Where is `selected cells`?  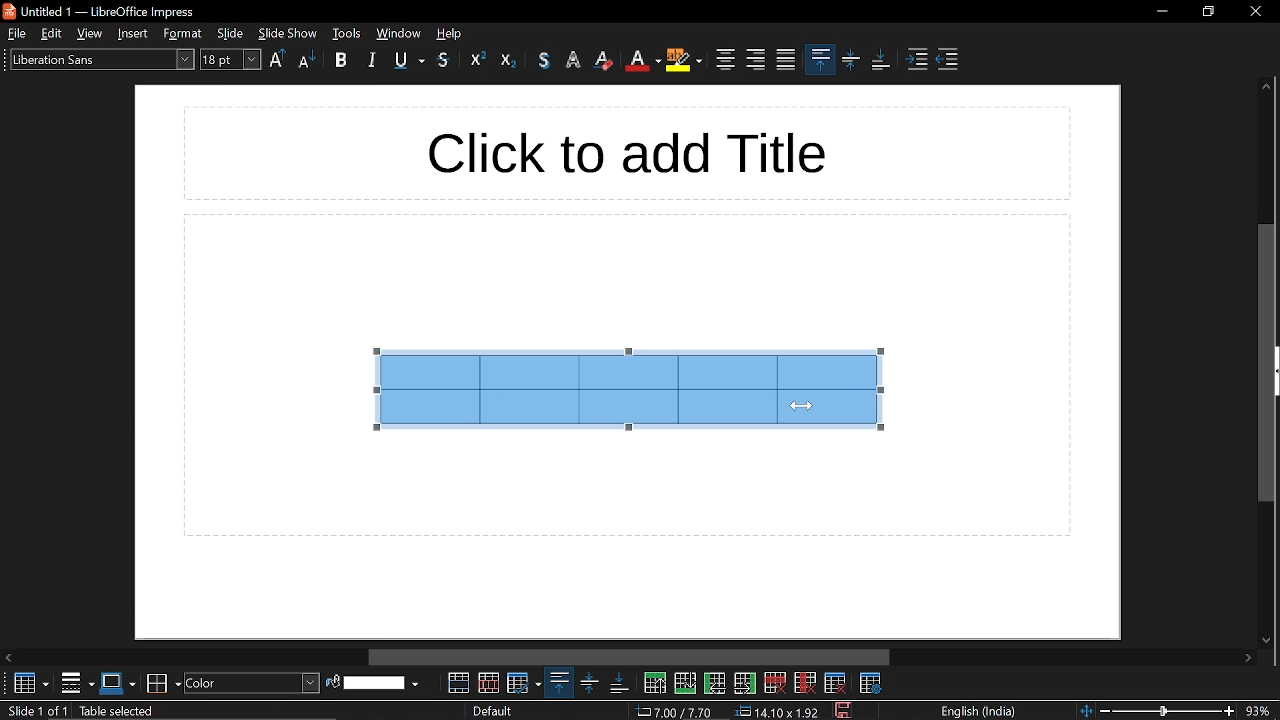
selected cells is located at coordinates (636, 386).